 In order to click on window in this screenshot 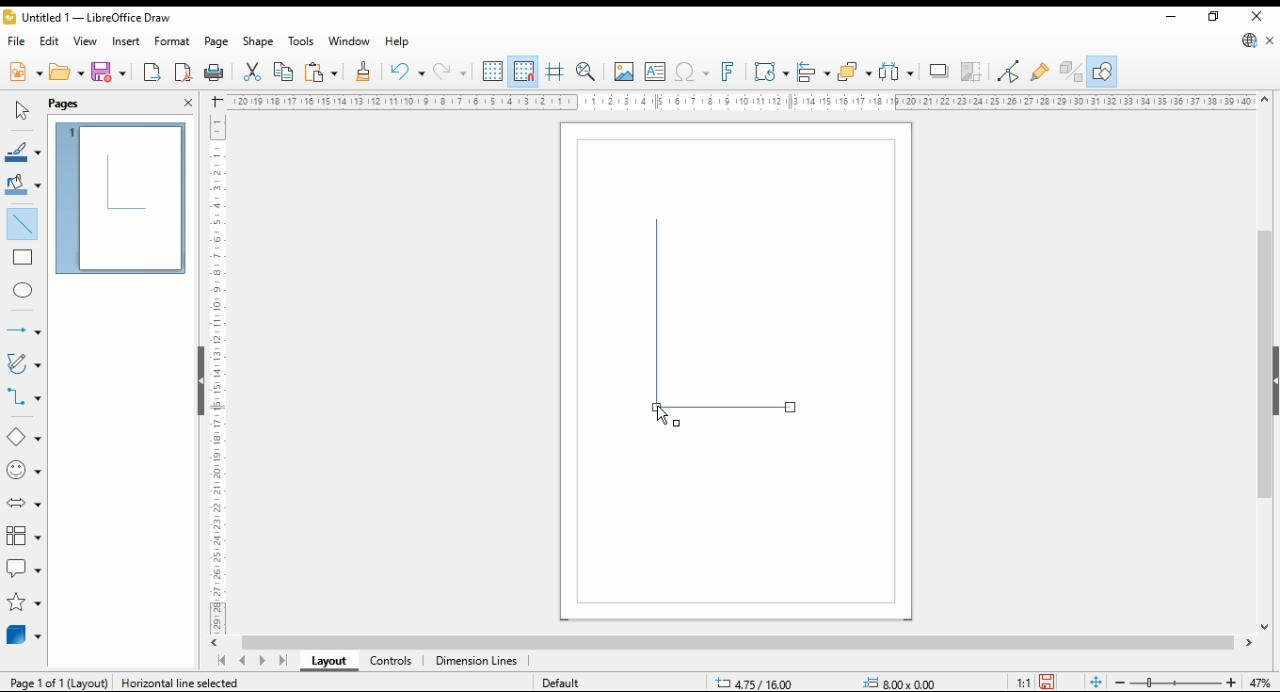, I will do `click(350, 43)`.